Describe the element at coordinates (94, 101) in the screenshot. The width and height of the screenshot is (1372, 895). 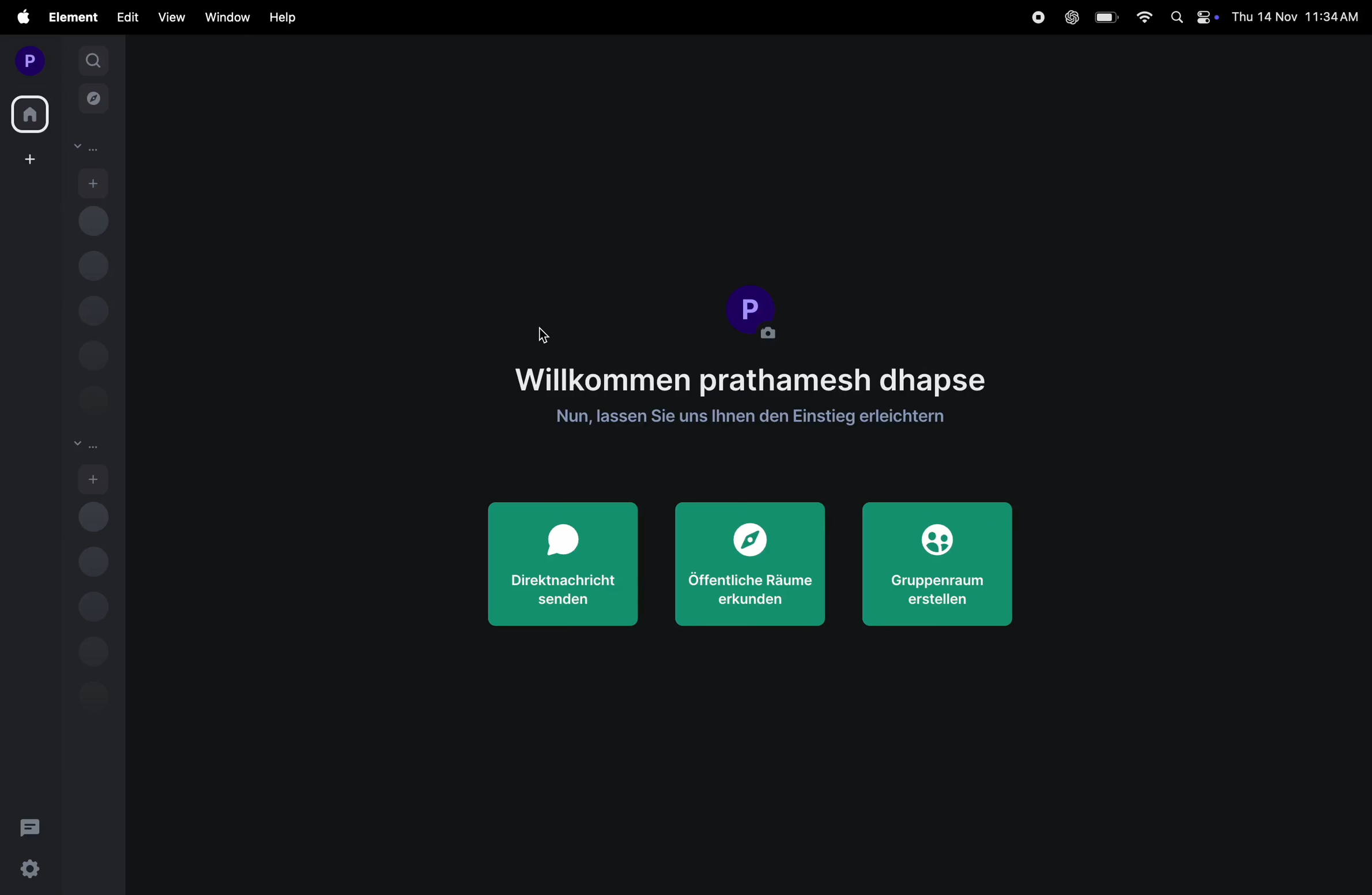
I see `explore rooms` at that location.